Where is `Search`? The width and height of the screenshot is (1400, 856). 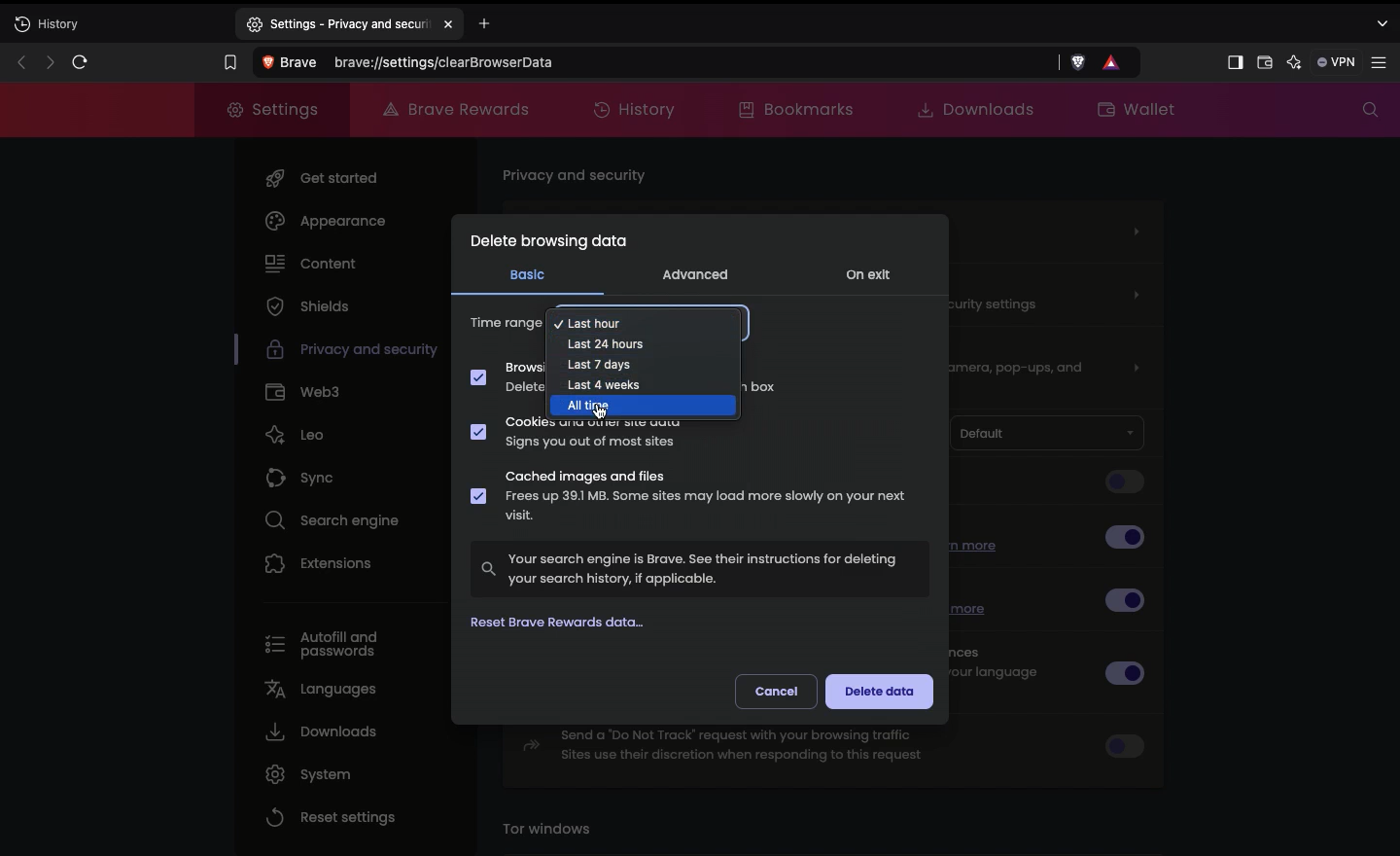
Search is located at coordinates (1365, 110).